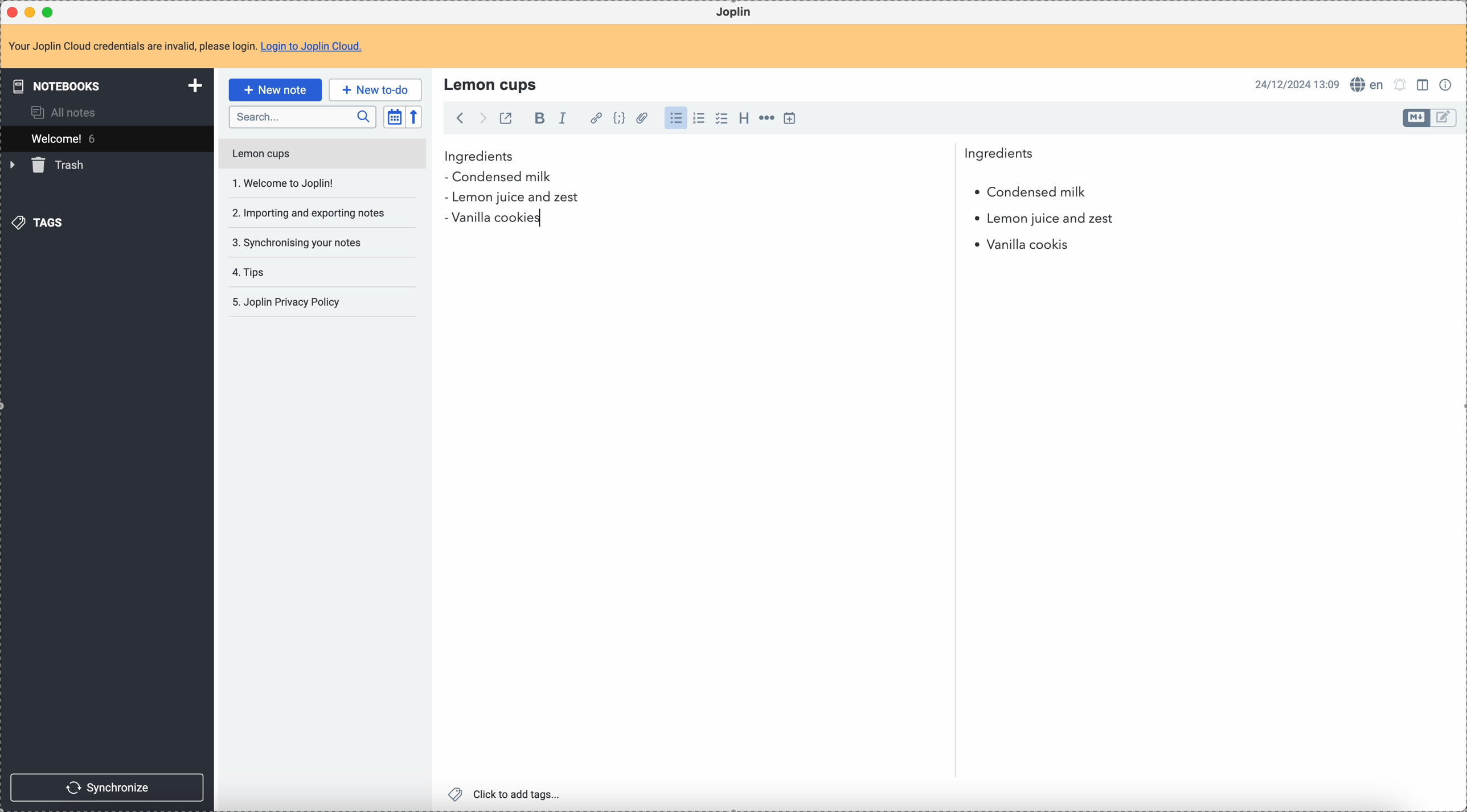 Image resolution: width=1467 pixels, height=812 pixels. I want to click on spell checker, so click(1370, 84).